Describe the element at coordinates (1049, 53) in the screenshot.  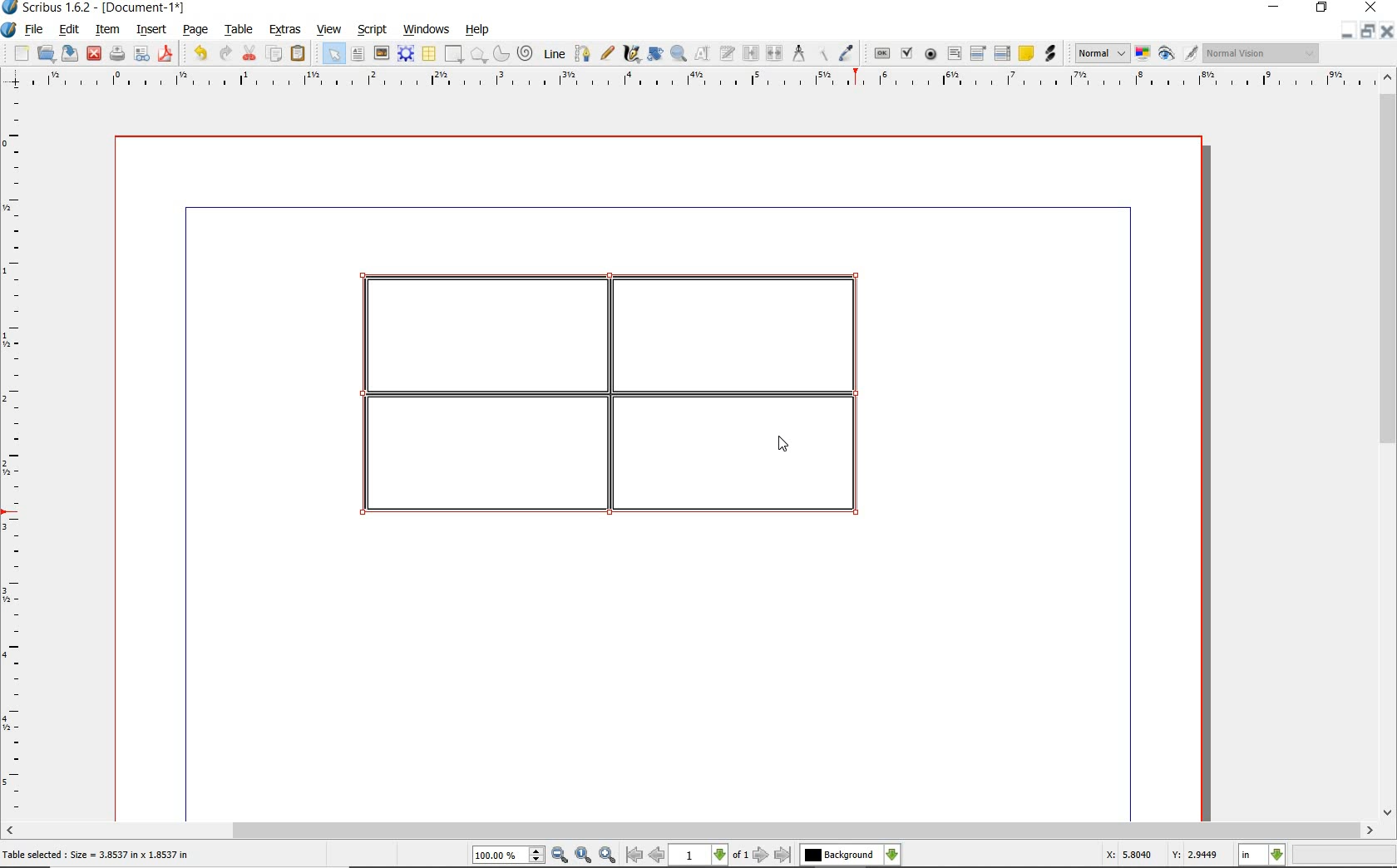
I see `link annotation` at that location.